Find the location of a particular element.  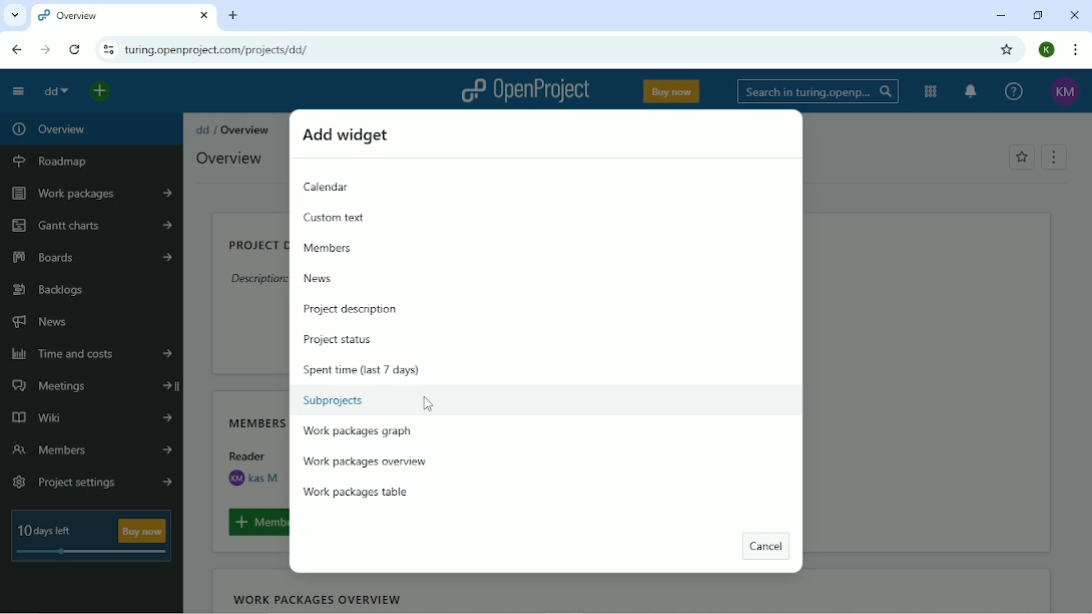

Calendar is located at coordinates (330, 186).